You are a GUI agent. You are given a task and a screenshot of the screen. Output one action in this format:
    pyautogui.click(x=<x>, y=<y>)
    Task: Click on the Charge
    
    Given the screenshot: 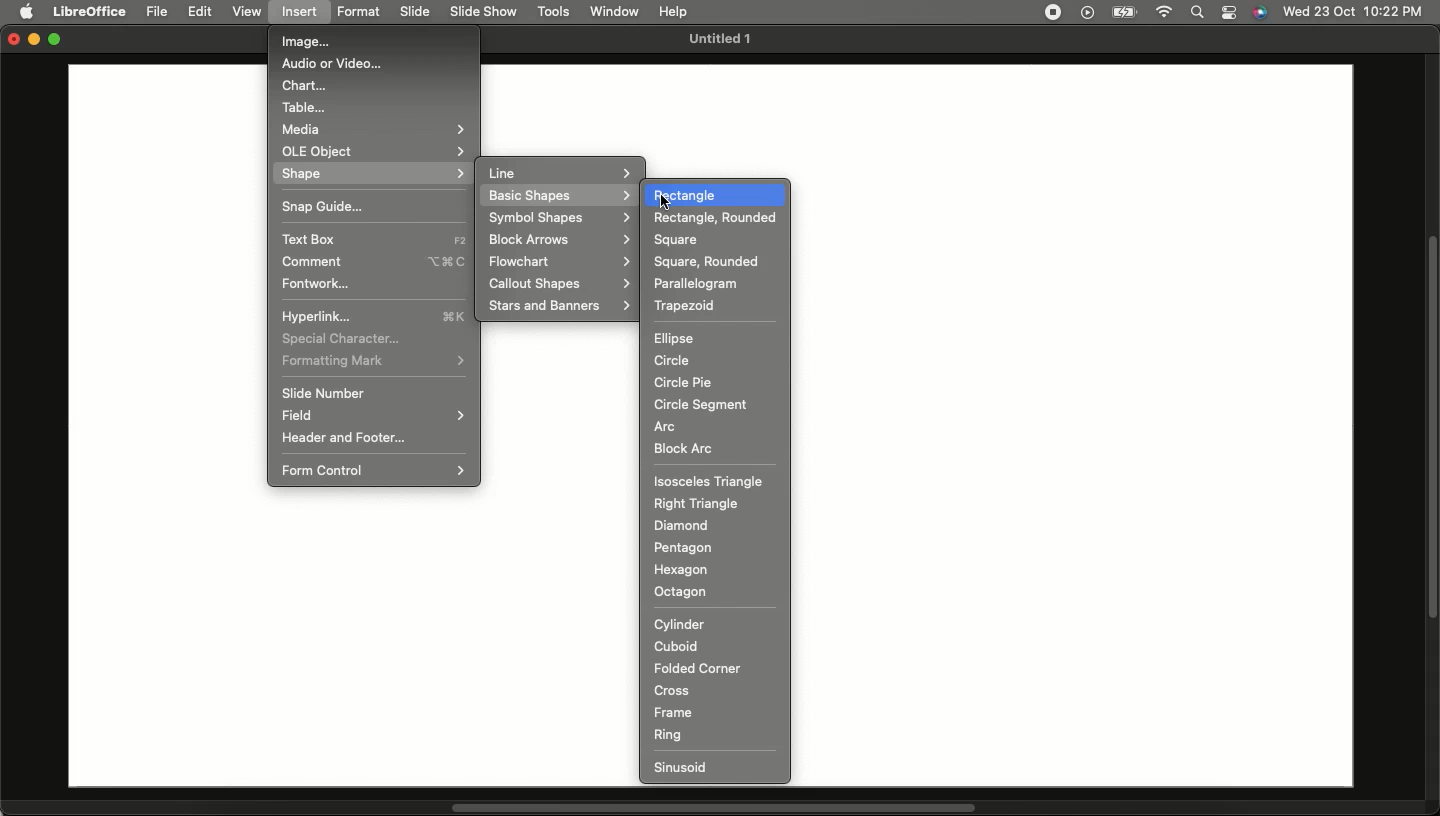 What is the action you would take?
    pyautogui.click(x=1122, y=12)
    